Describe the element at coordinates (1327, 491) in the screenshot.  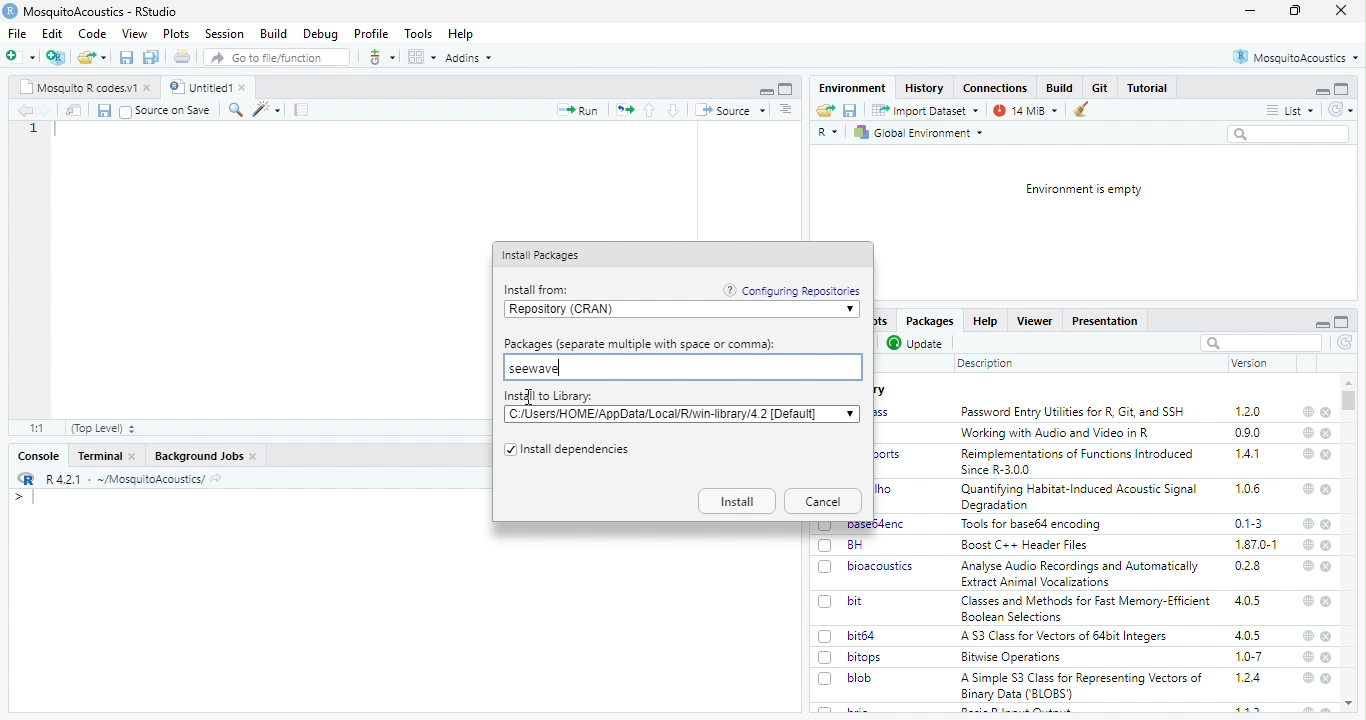
I see `close` at that location.